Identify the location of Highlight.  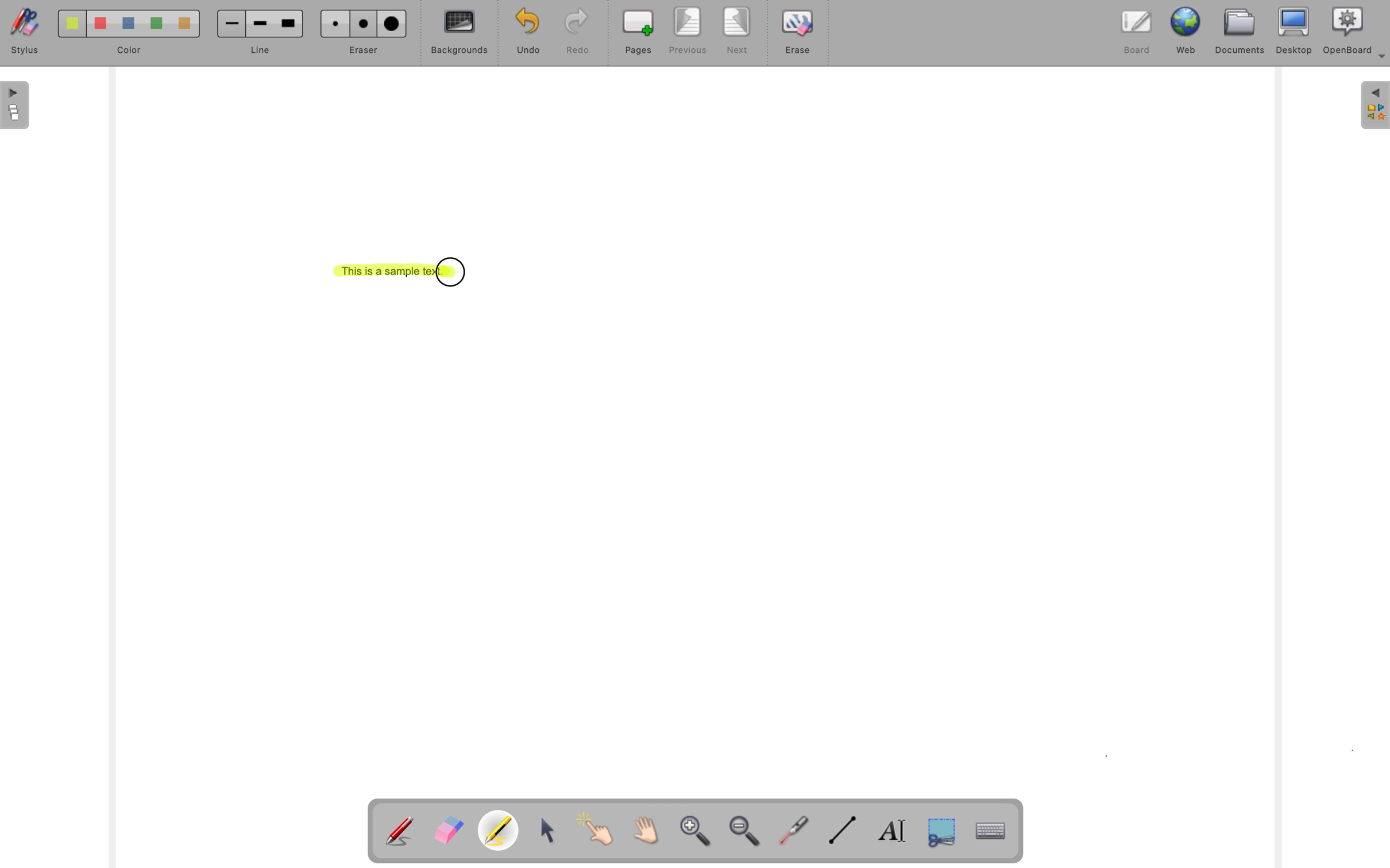
(502, 828).